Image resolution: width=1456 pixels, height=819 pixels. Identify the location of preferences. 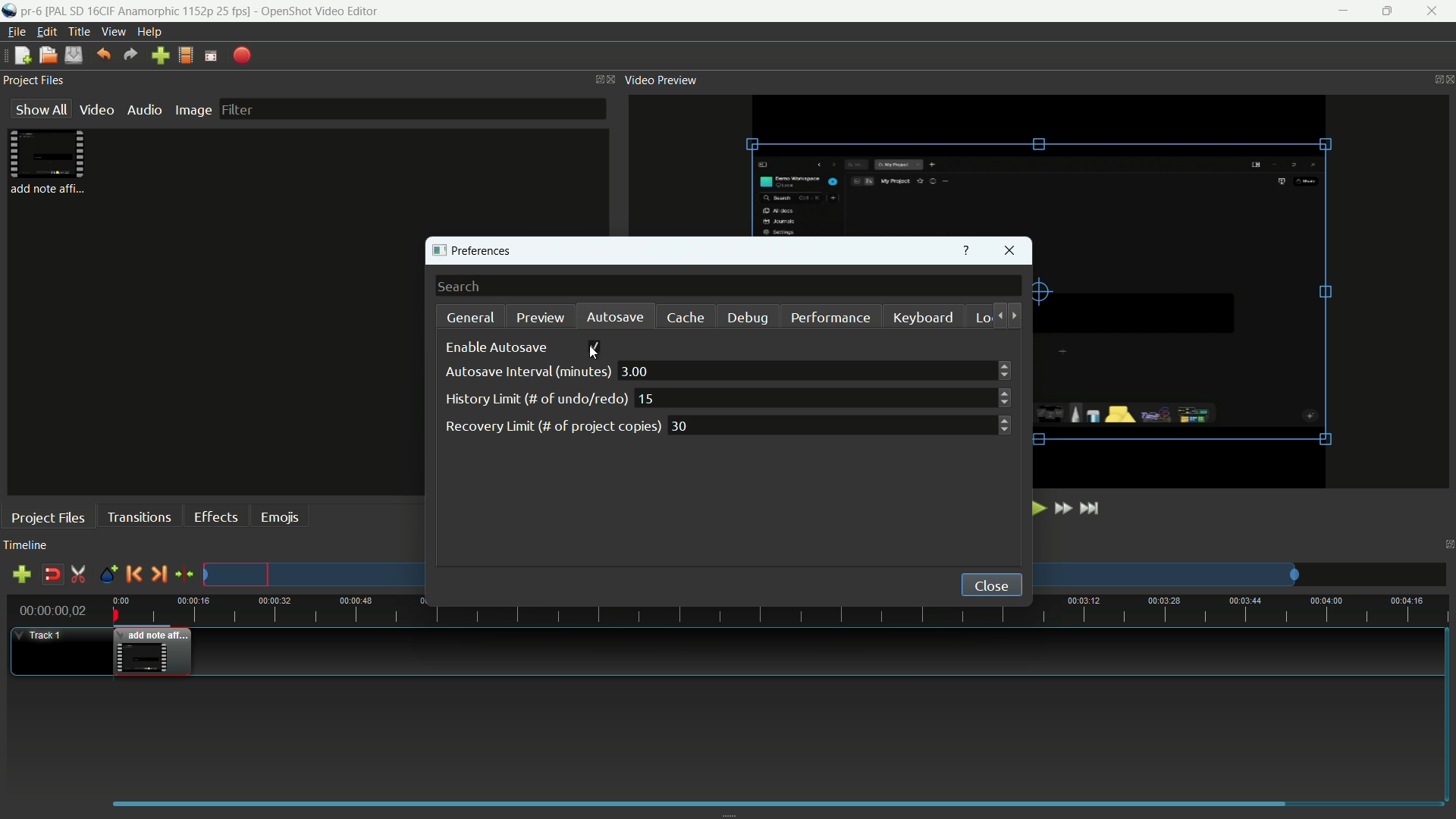
(471, 251).